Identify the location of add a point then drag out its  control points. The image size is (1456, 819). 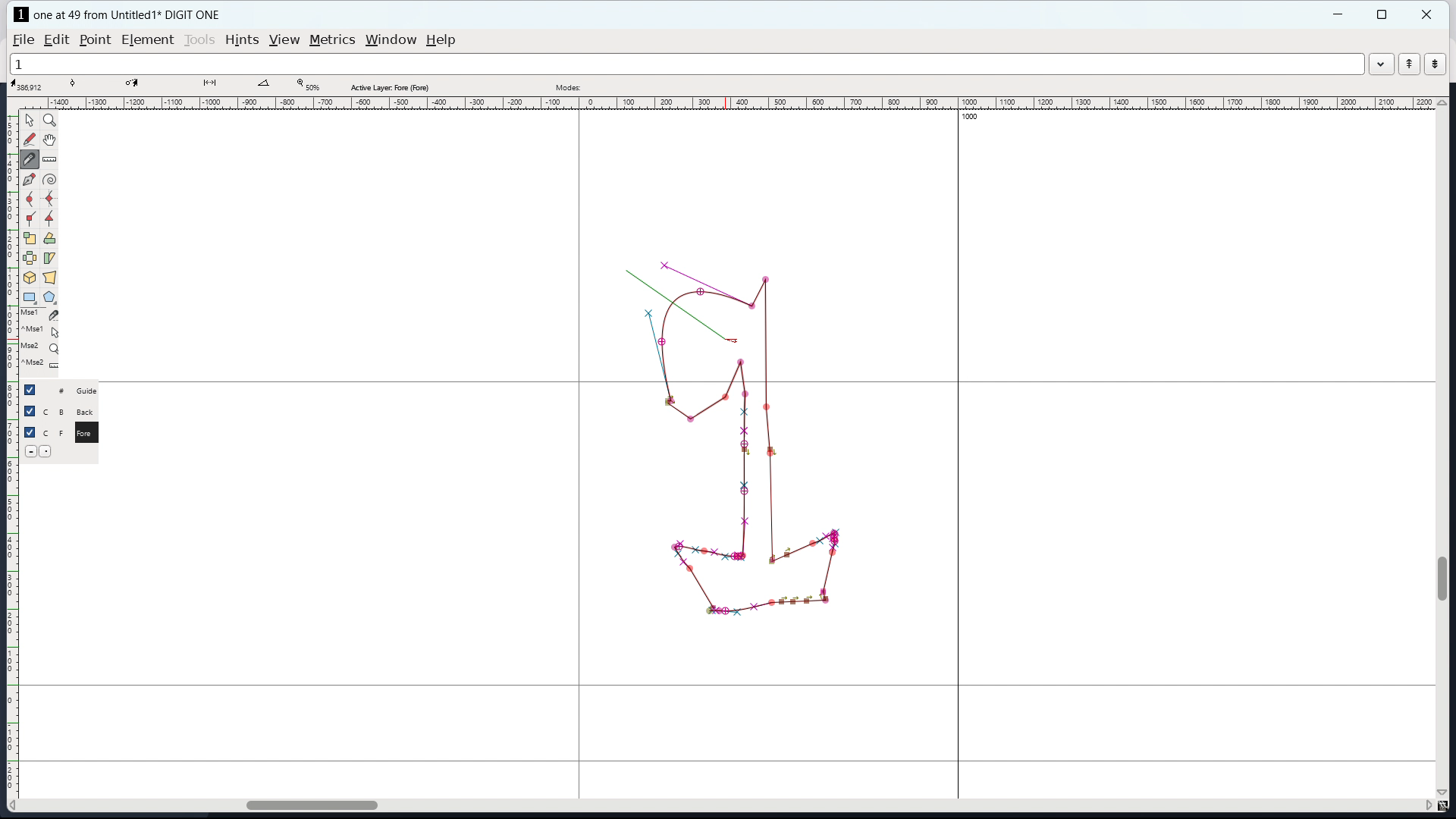
(29, 180).